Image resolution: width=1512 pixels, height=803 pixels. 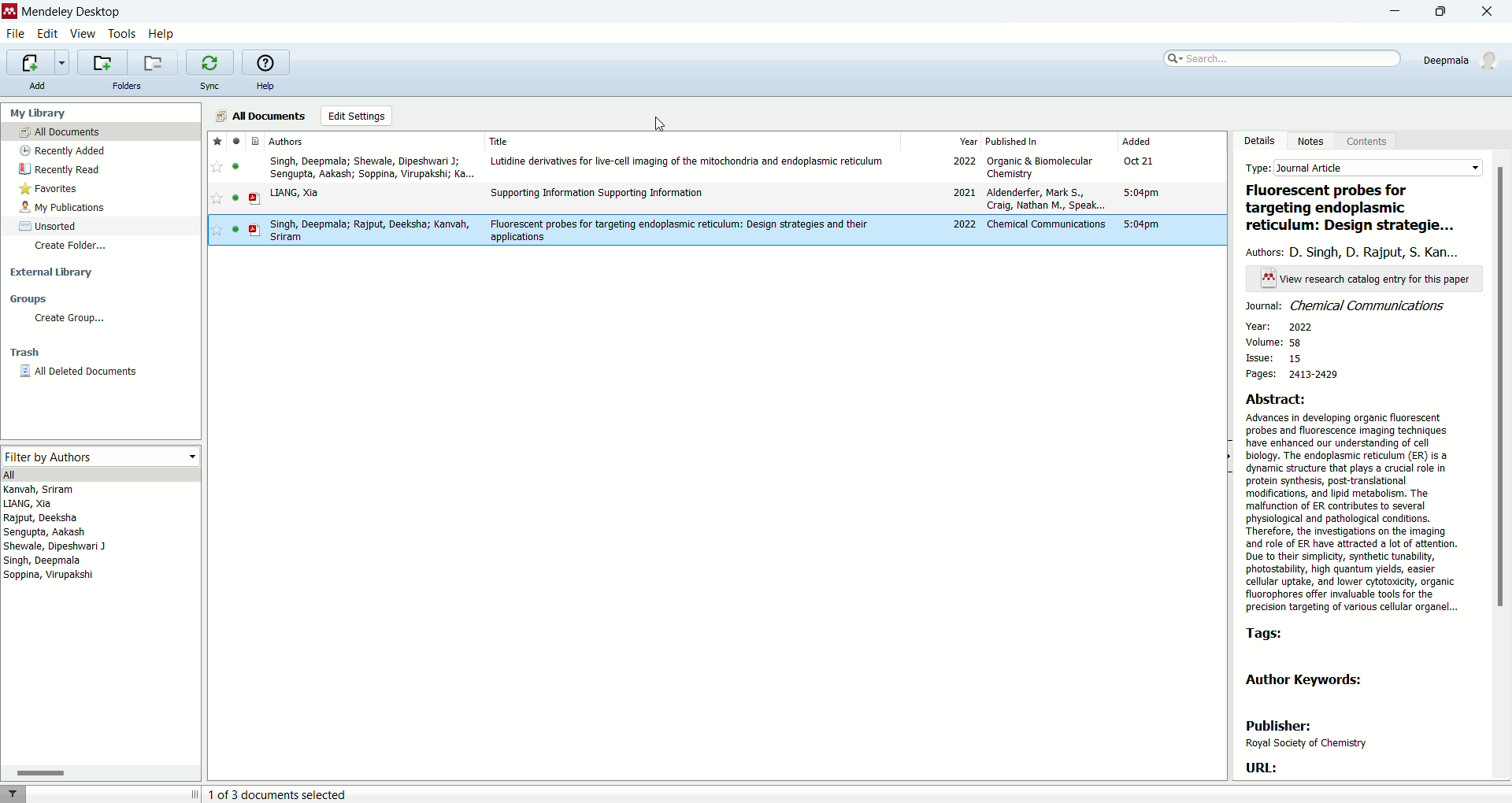 What do you see at coordinates (17, 34) in the screenshot?
I see `file` at bounding box center [17, 34].